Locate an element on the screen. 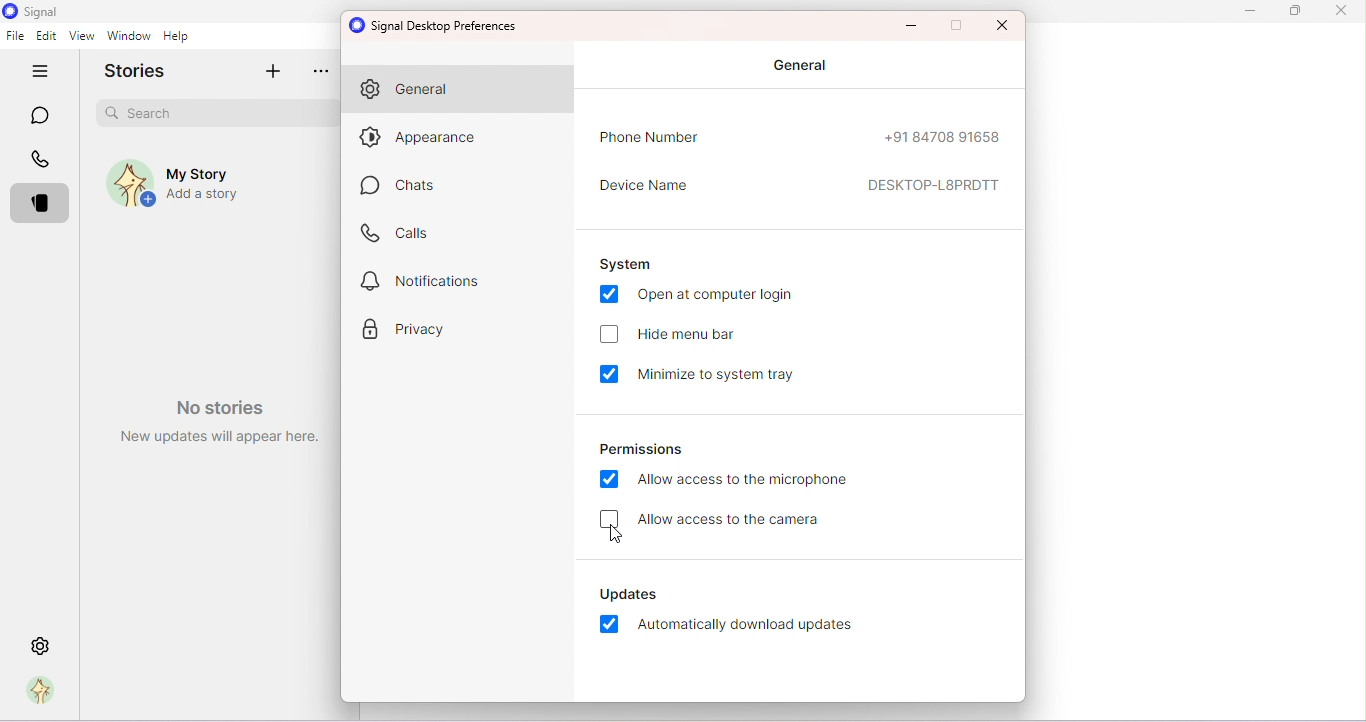 This screenshot has height=722, width=1366. Close is located at coordinates (1339, 12).